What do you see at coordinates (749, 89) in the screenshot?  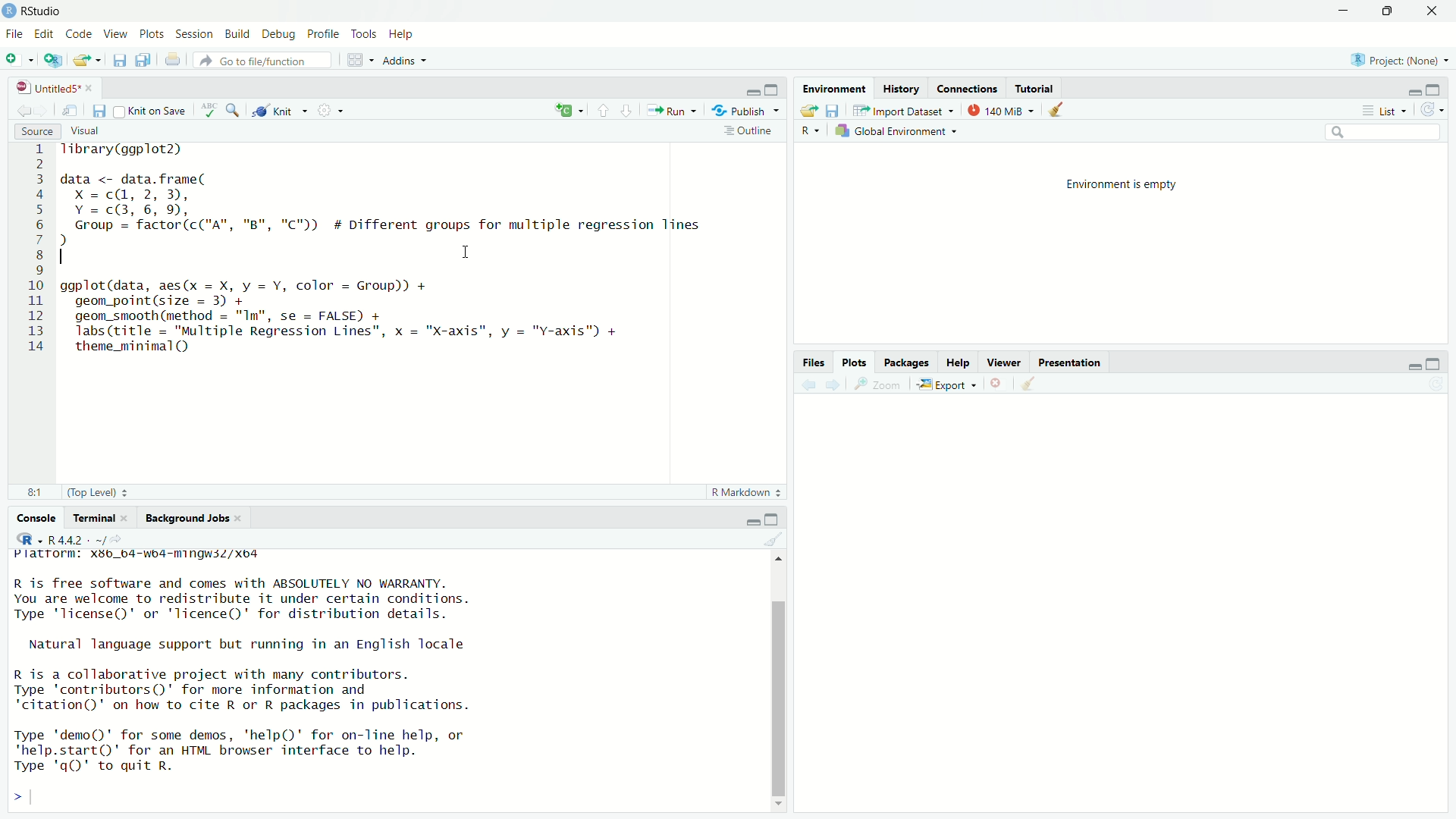 I see `minimise` at bounding box center [749, 89].